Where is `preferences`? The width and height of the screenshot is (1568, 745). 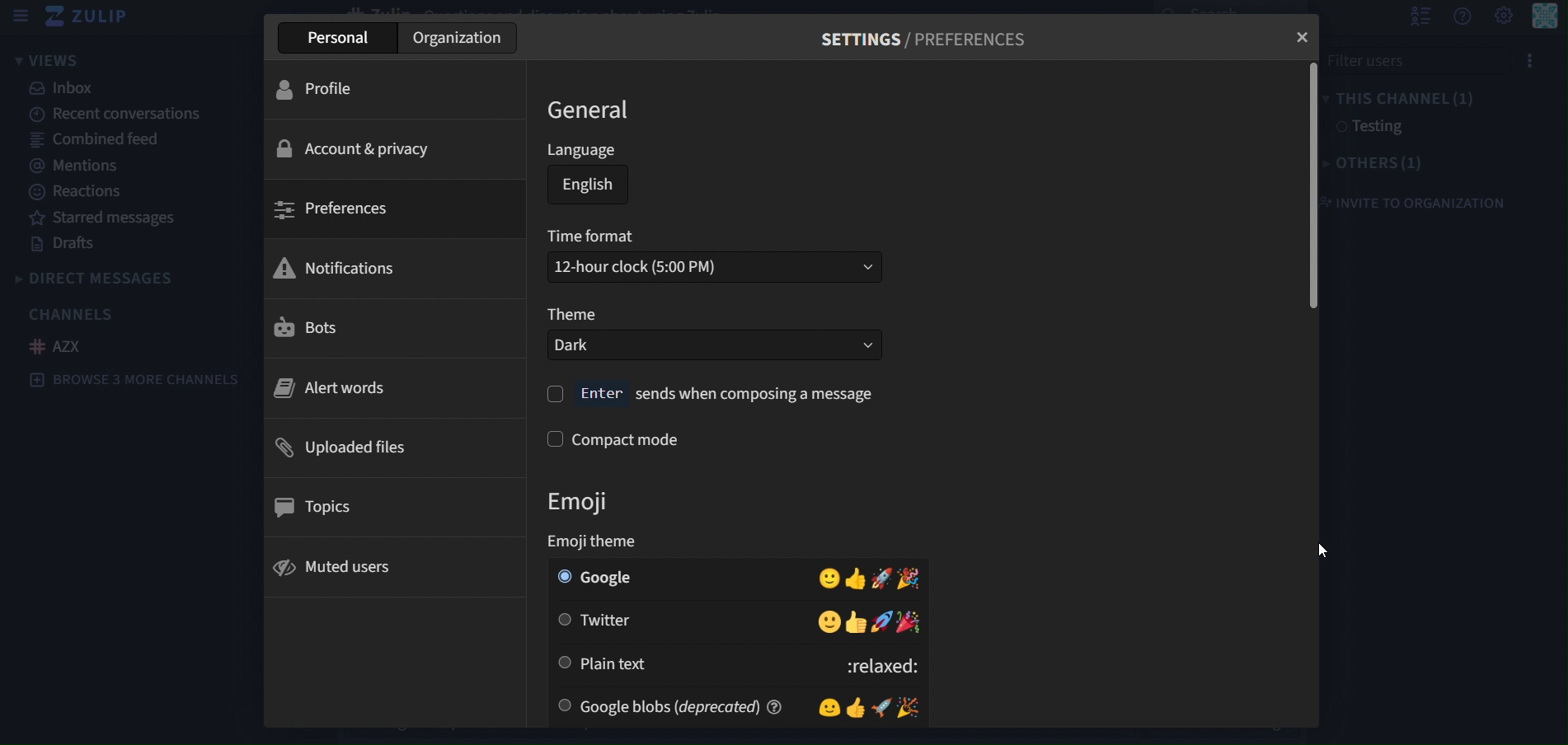 preferences is located at coordinates (336, 211).